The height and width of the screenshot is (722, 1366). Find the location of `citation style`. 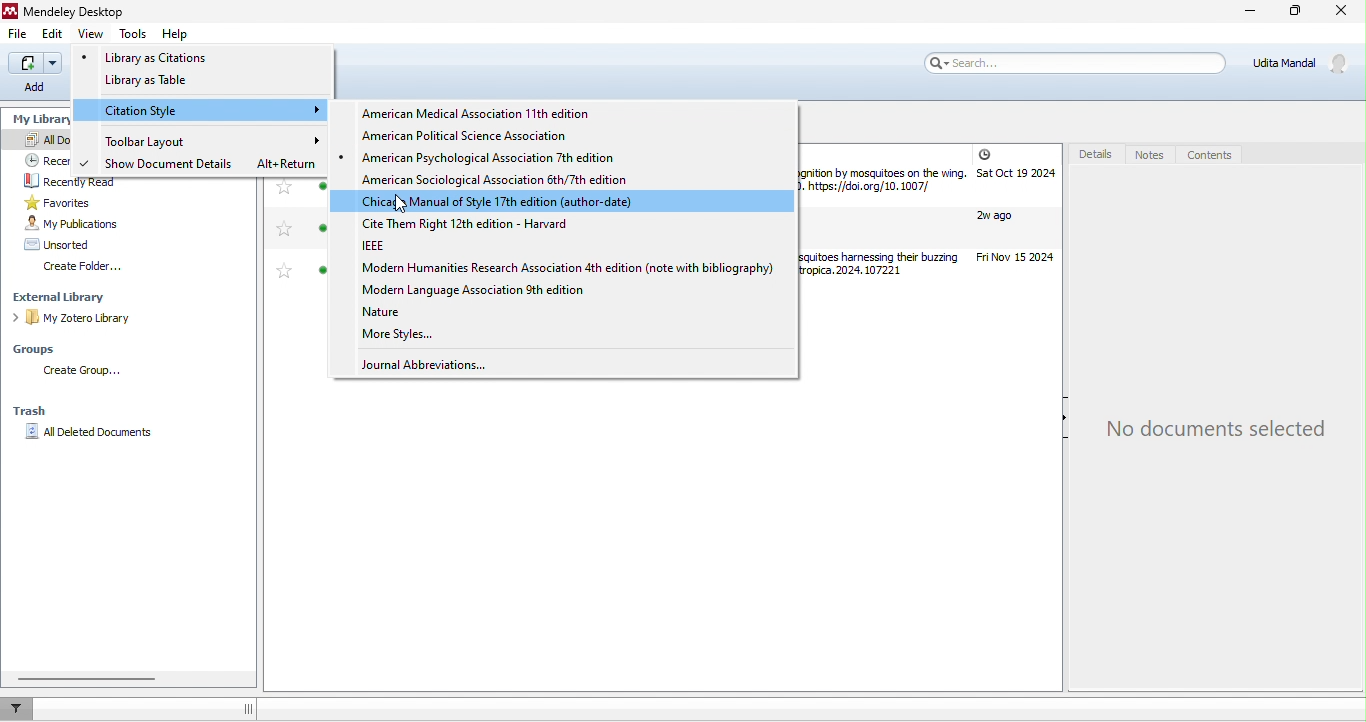

citation style is located at coordinates (195, 111).